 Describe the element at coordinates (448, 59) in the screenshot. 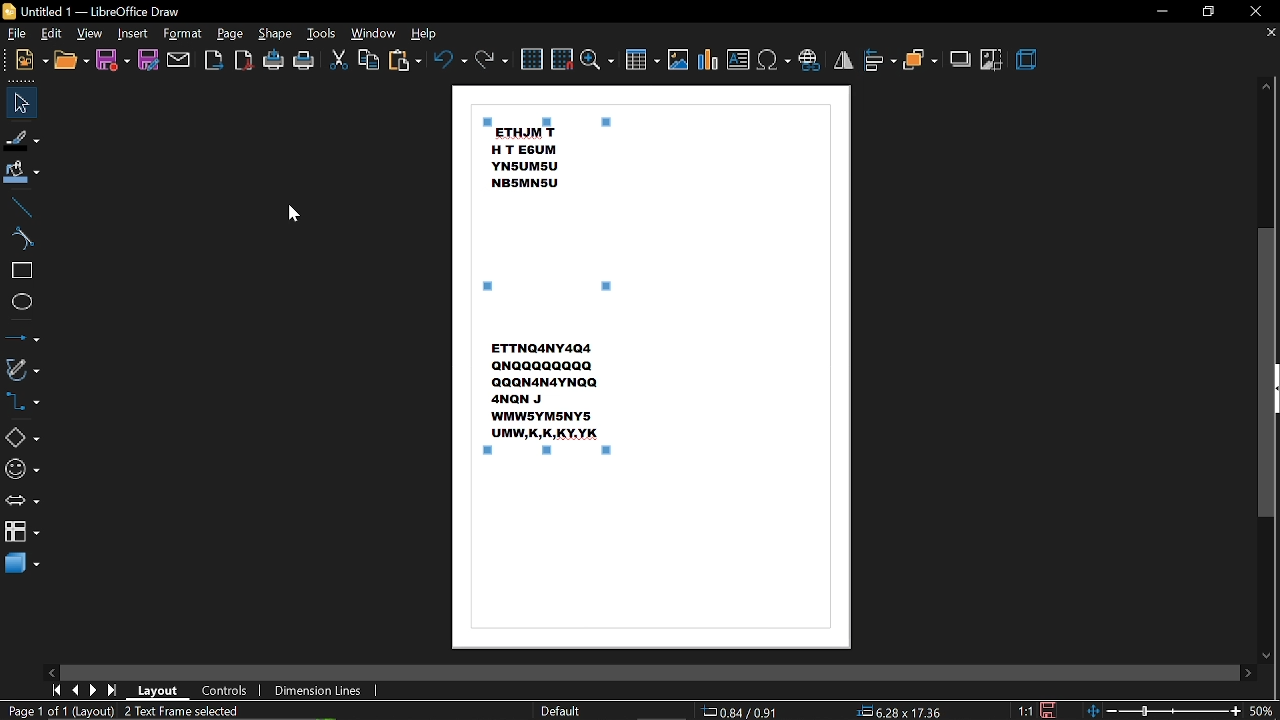

I see `undo` at that location.